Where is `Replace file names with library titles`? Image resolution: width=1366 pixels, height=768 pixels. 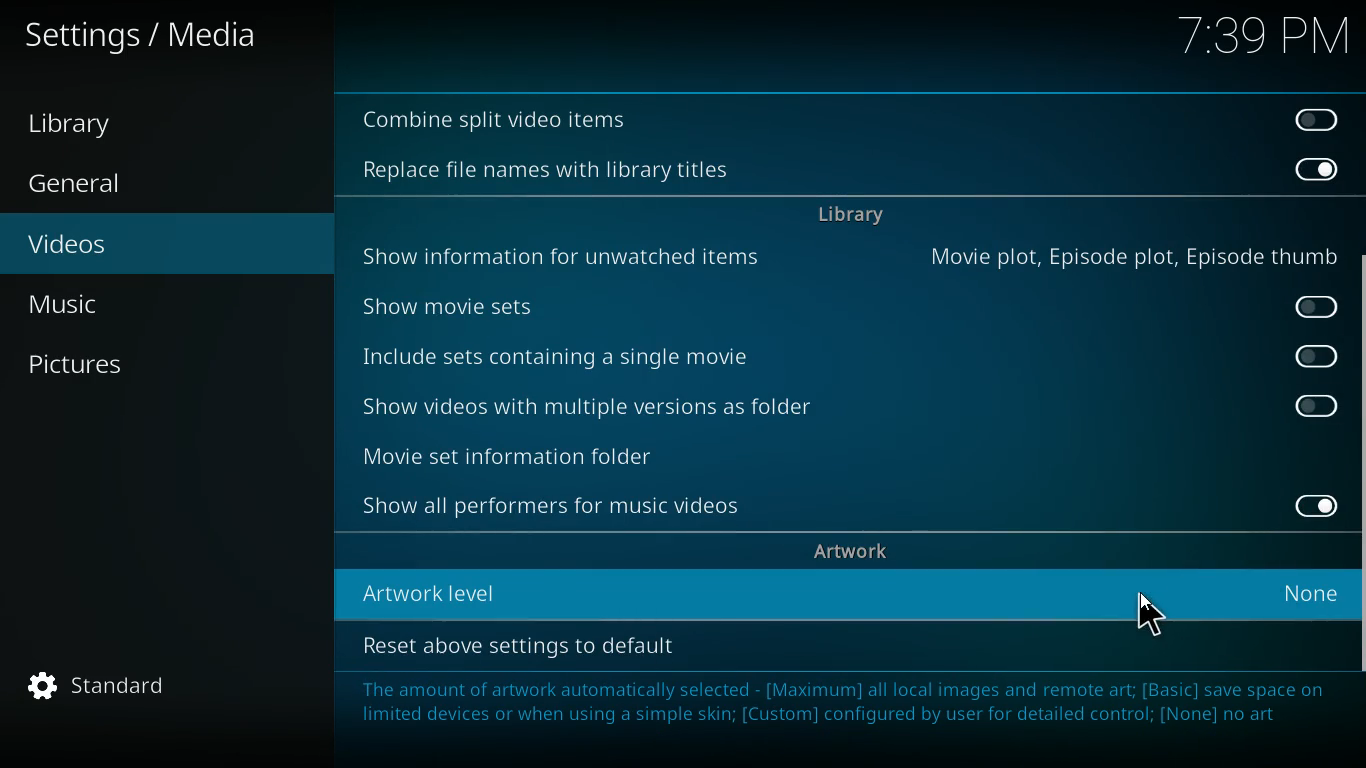 Replace file names with library titles is located at coordinates (546, 171).